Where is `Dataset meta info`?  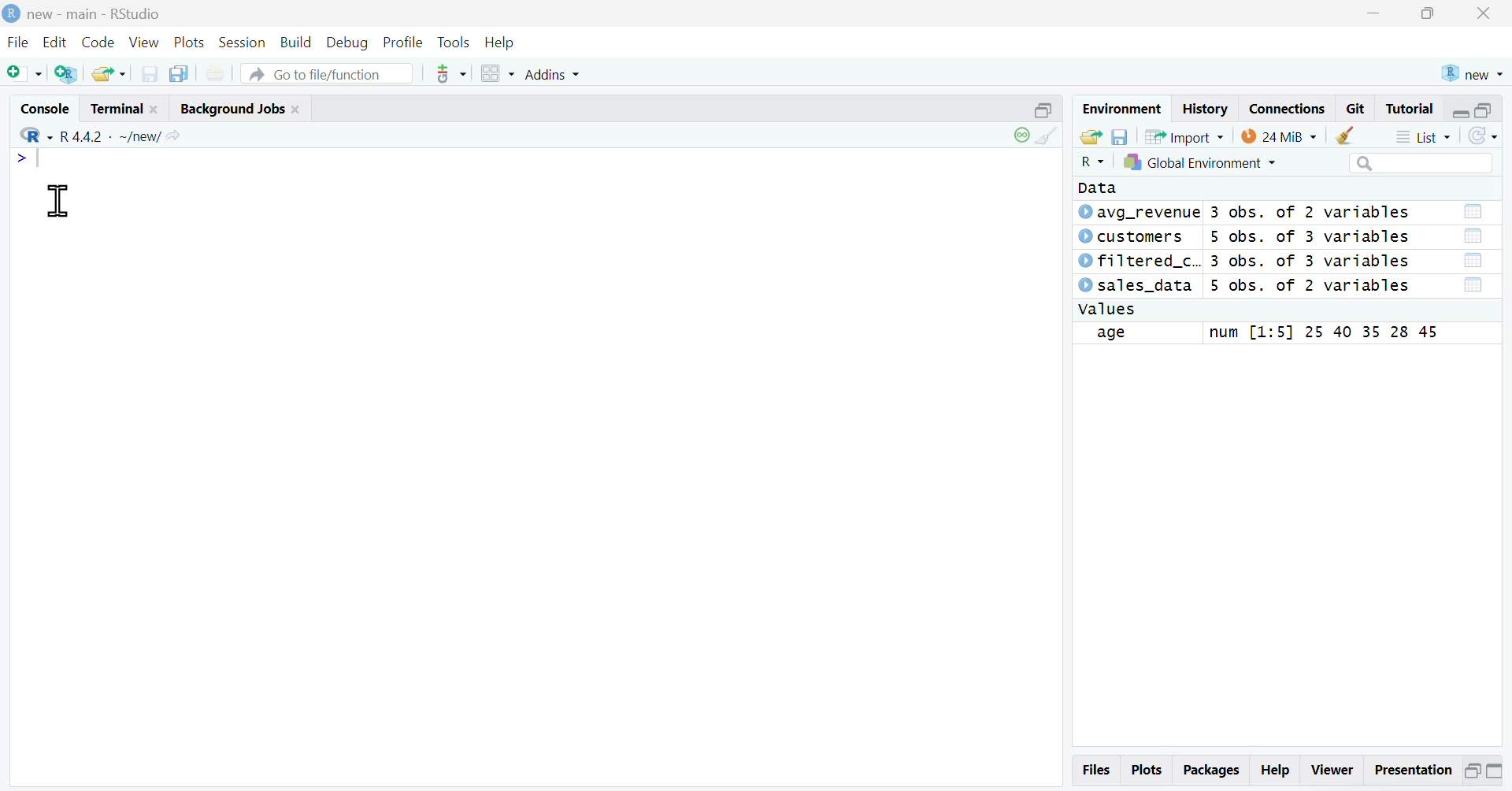 Dataset meta info is located at coordinates (1313, 250).